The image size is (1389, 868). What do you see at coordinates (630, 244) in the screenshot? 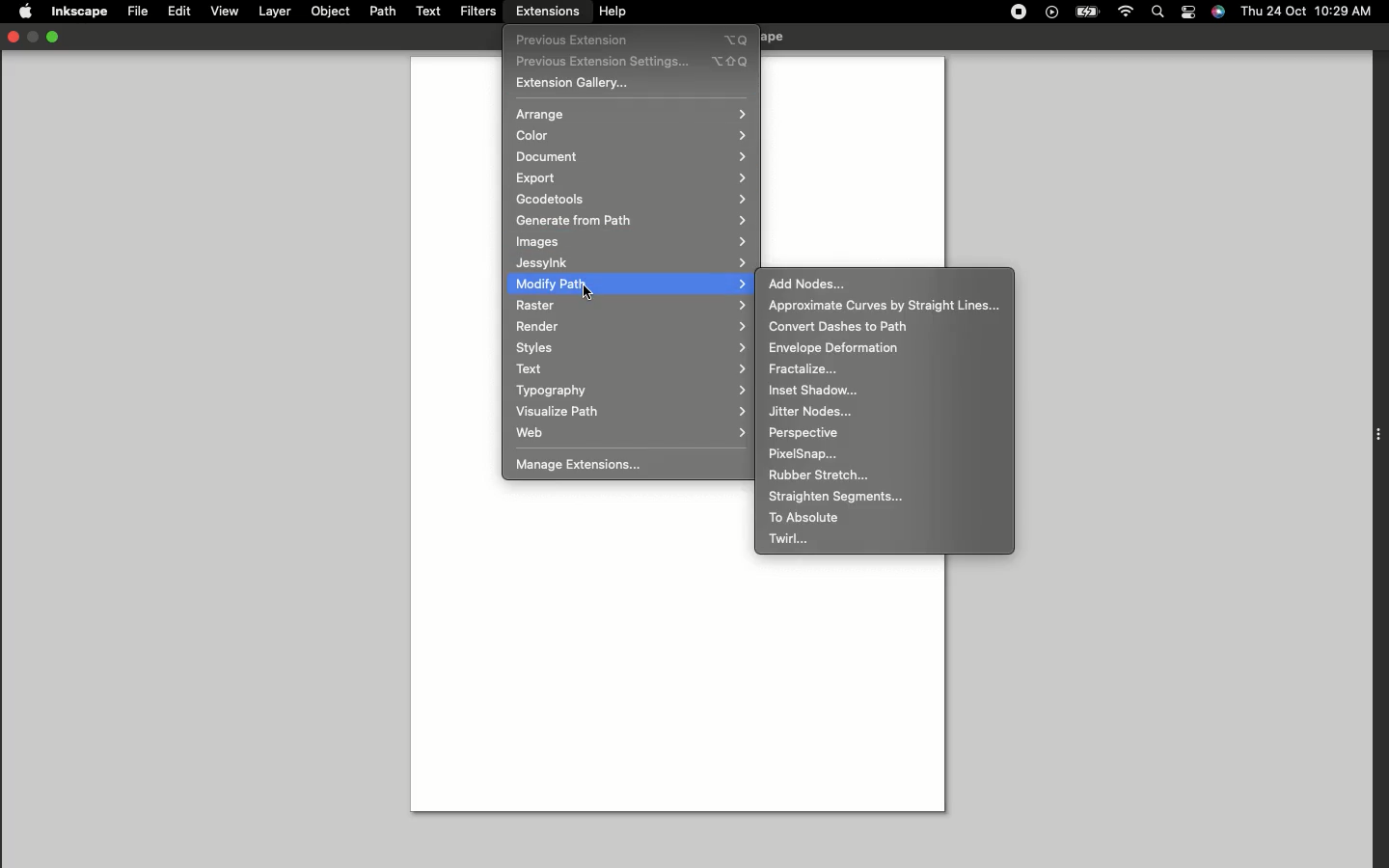
I see `Images` at bounding box center [630, 244].